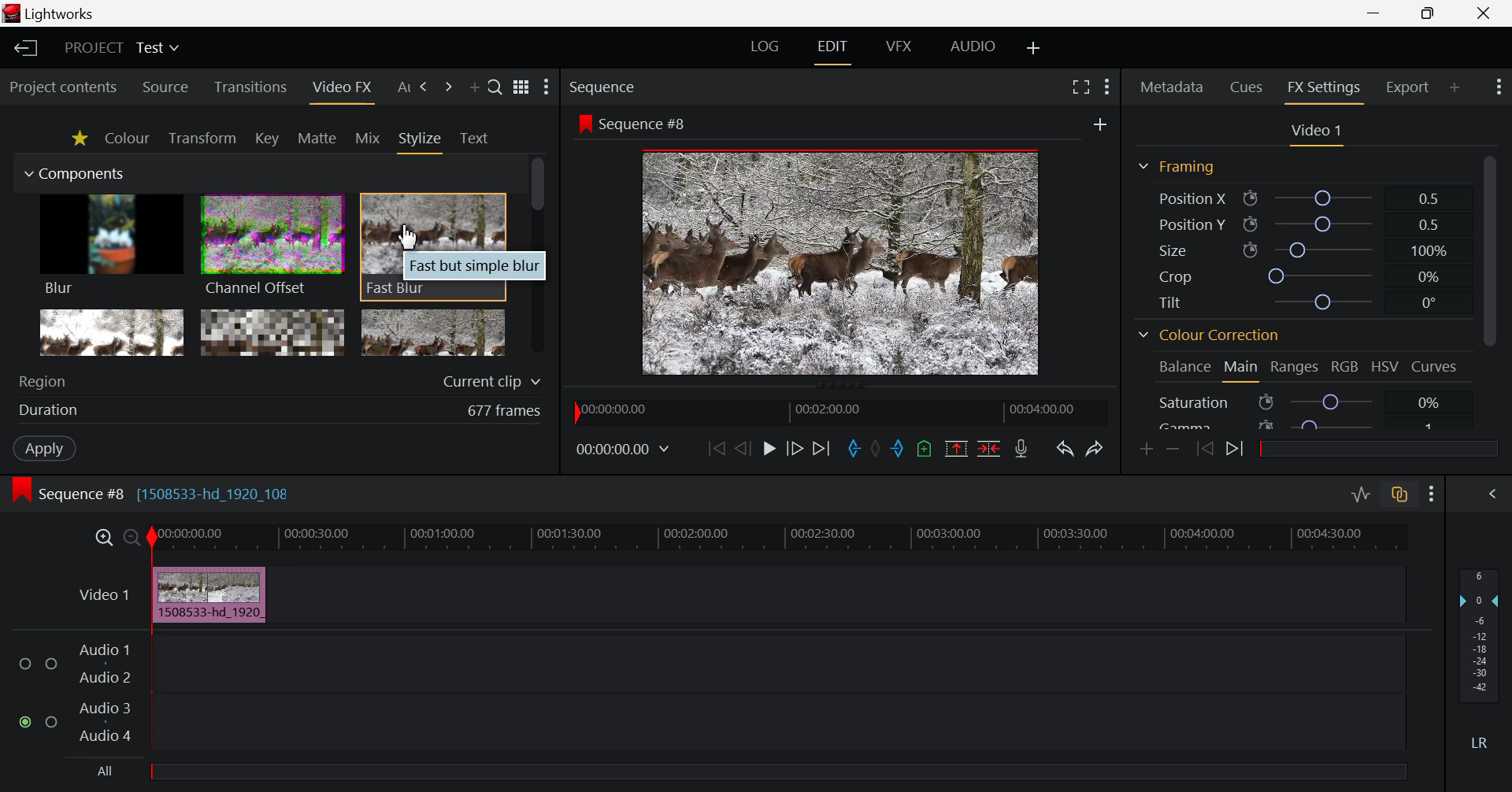 The width and height of the screenshot is (1512, 792). I want to click on Sequence #8 Preview Screen, so click(842, 264).